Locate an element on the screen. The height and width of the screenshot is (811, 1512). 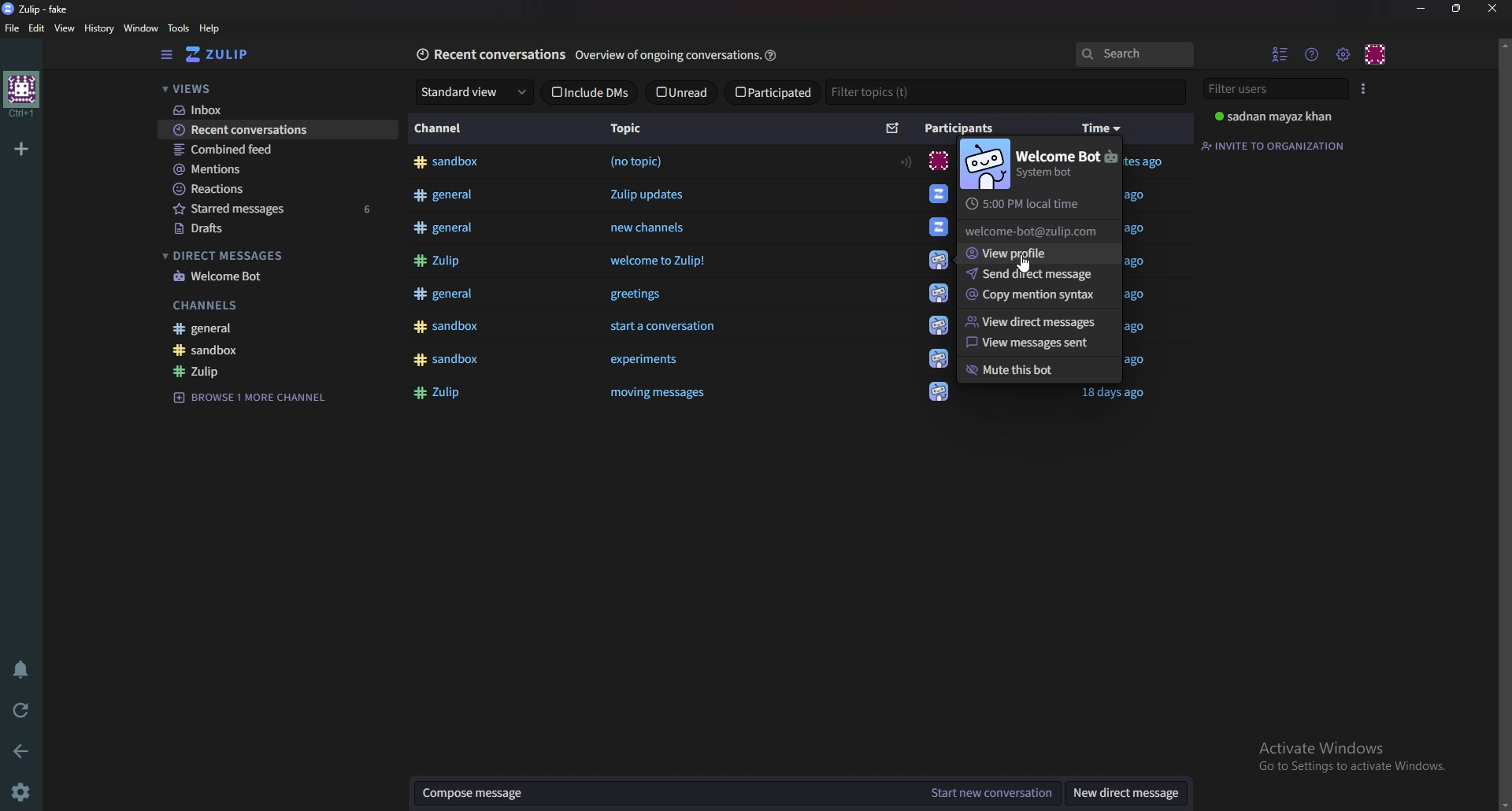
Welcome bot profile image is located at coordinates (984, 166).